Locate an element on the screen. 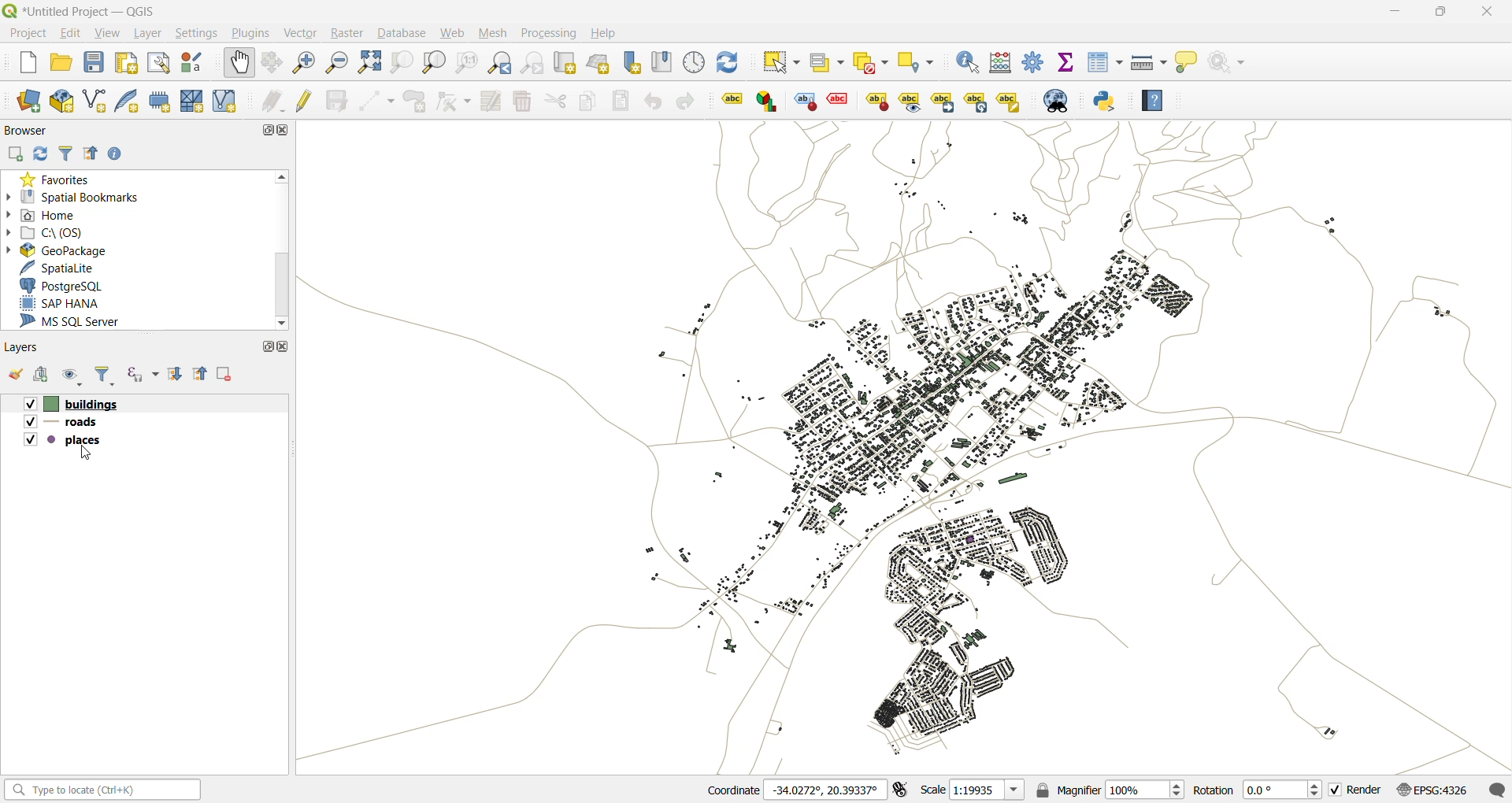 The width and height of the screenshot is (1512, 803). collapse all is located at coordinates (202, 376).